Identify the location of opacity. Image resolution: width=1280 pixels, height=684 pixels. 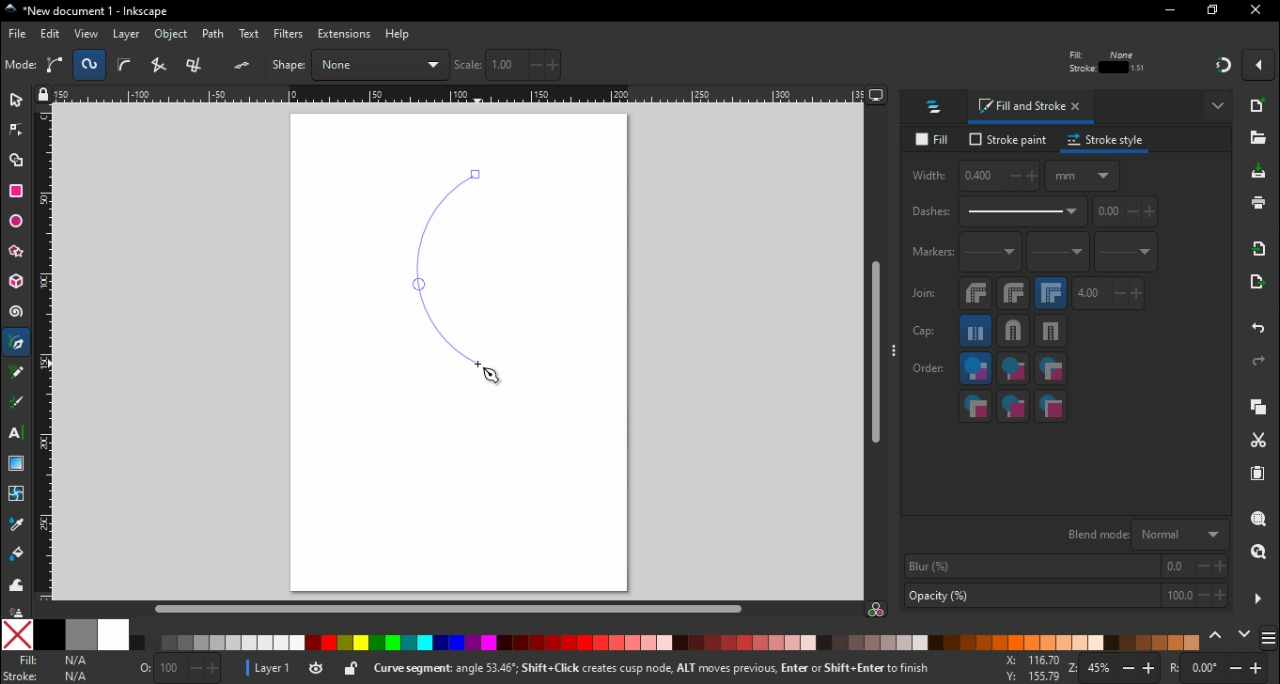
(1064, 596).